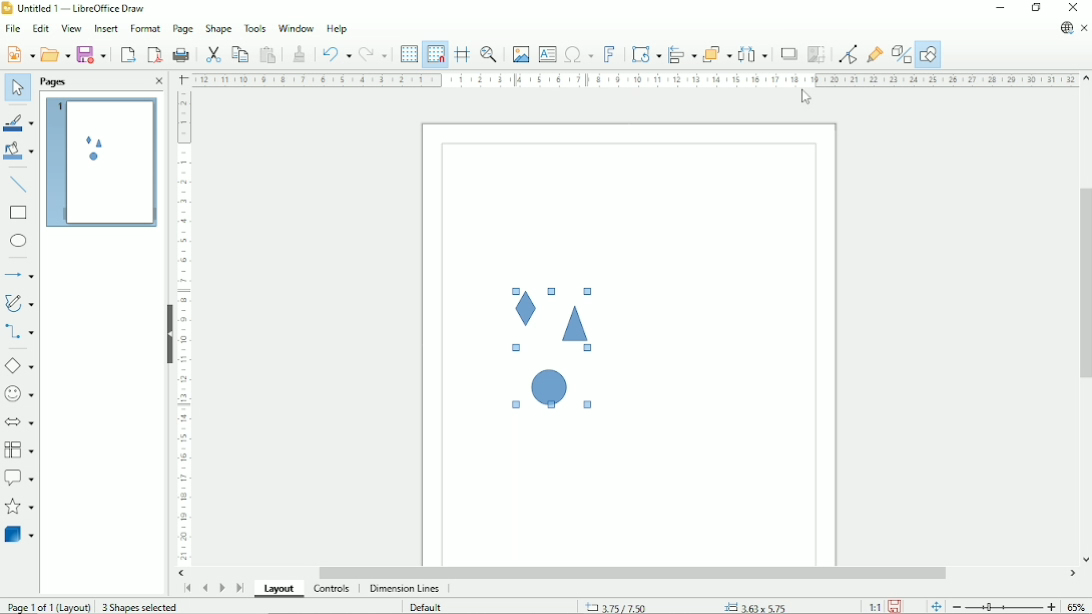 The image size is (1092, 614). I want to click on Vertical scroll button, so click(1085, 560).